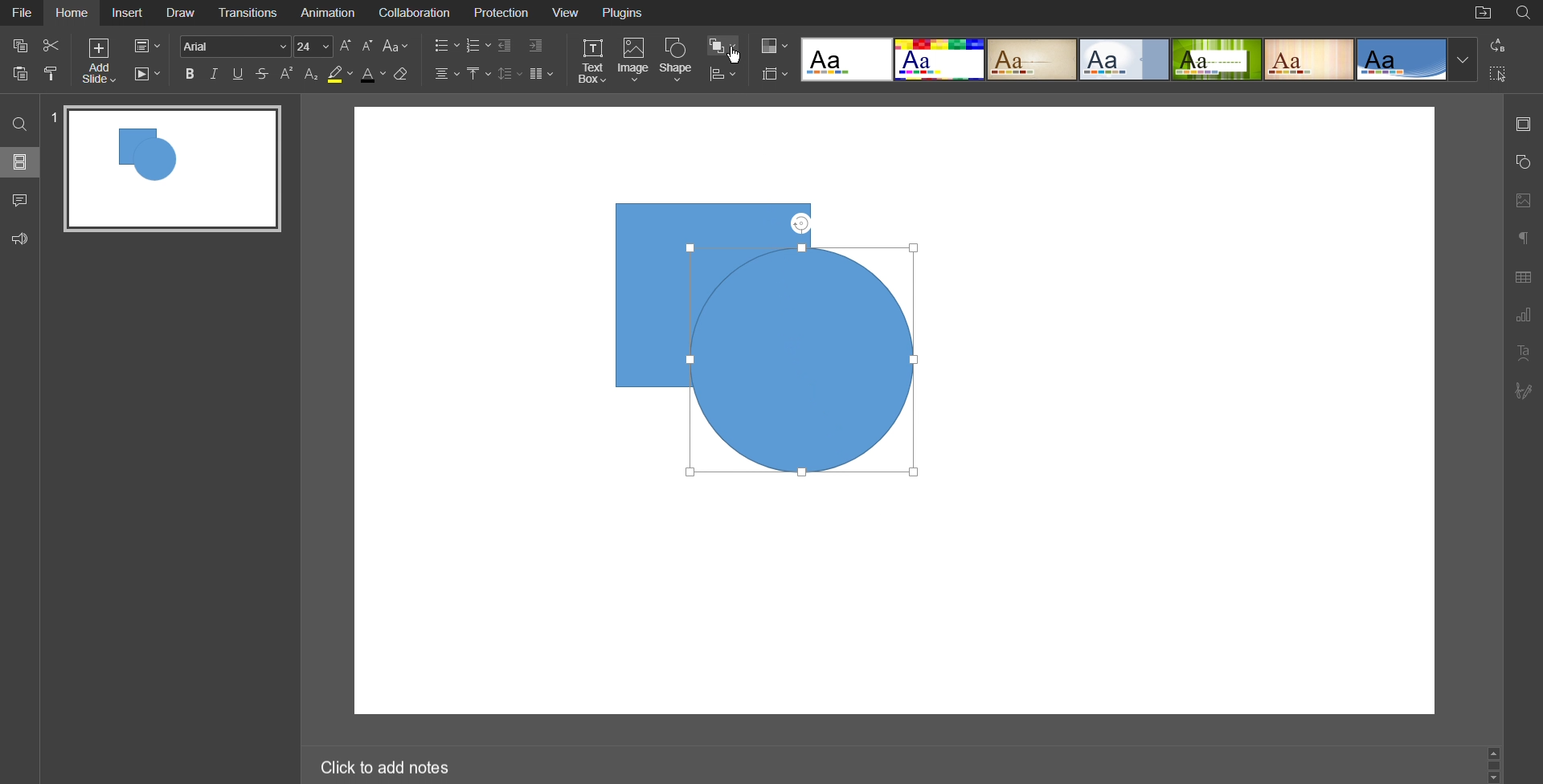 The image size is (1543, 784). Describe the element at coordinates (1124, 59) in the screenshot. I see `Official` at that location.